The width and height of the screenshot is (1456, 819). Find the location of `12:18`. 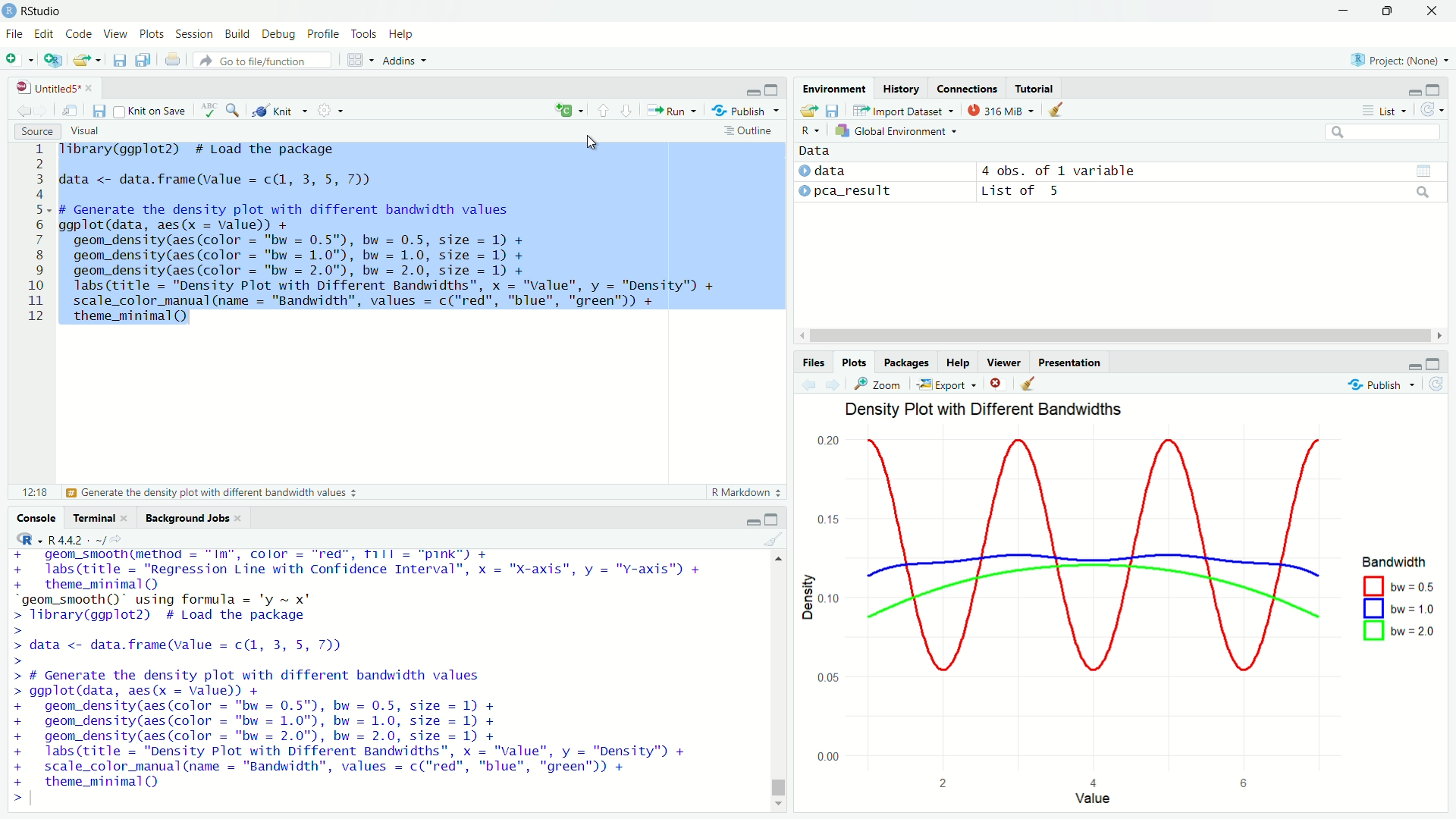

12:18 is located at coordinates (35, 491).